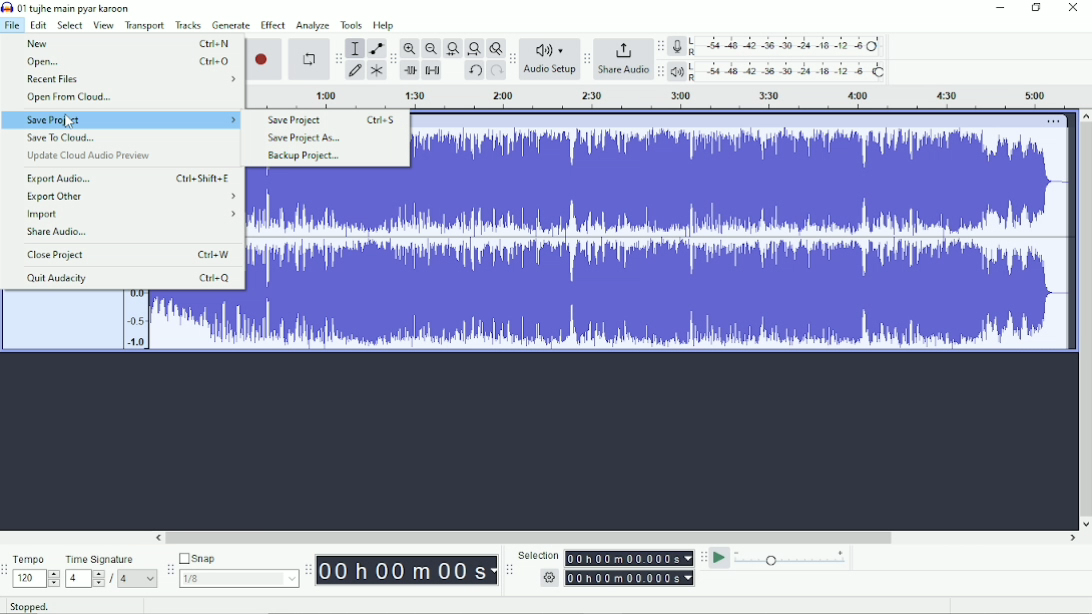 This screenshot has height=614, width=1092. What do you see at coordinates (475, 48) in the screenshot?
I see `Fit project to width` at bounding box center [475, 48].